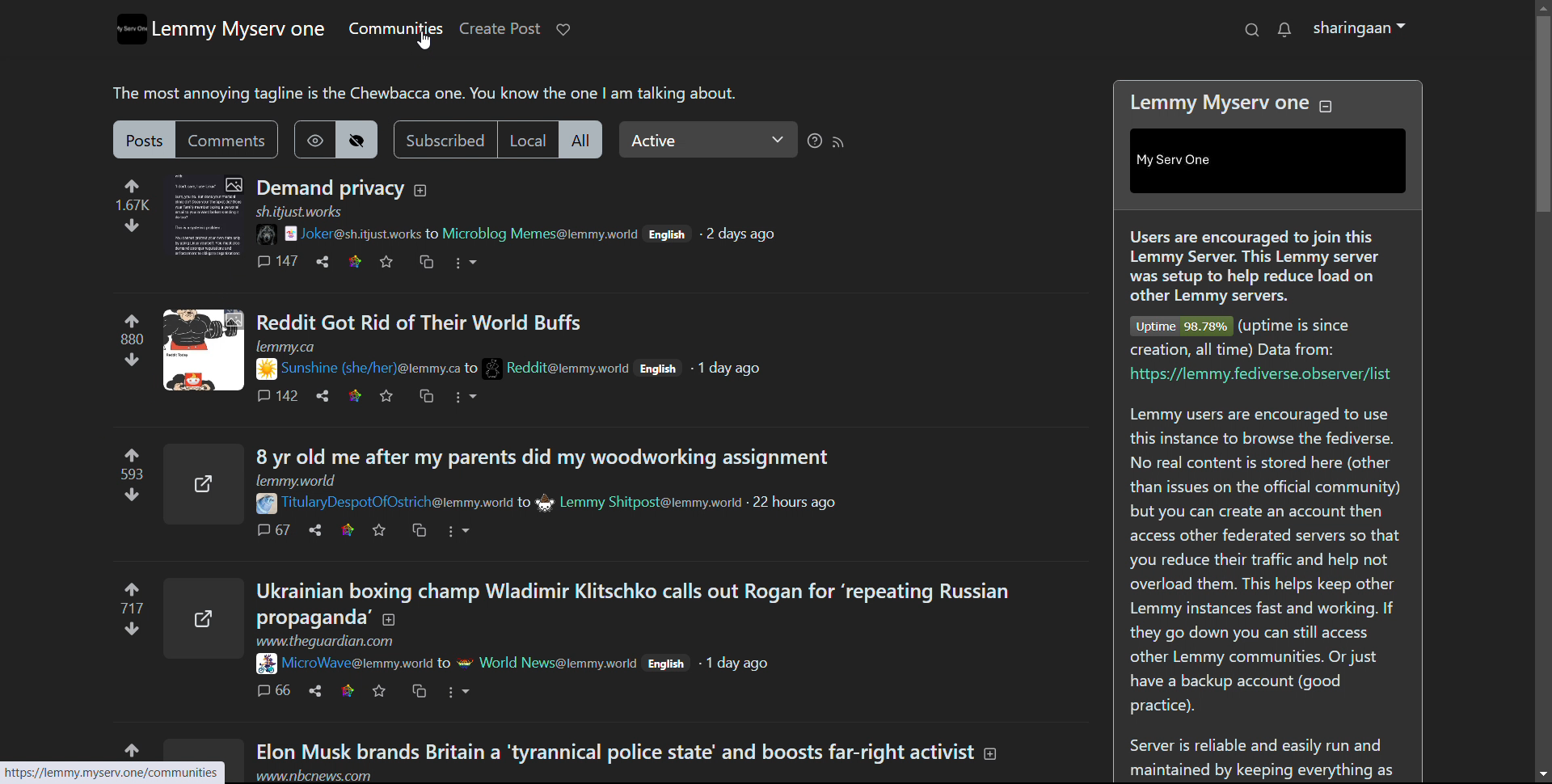 The width and height of the screenshot is (1552, 784). I want to click on scrollbar, so click(1544, 384).